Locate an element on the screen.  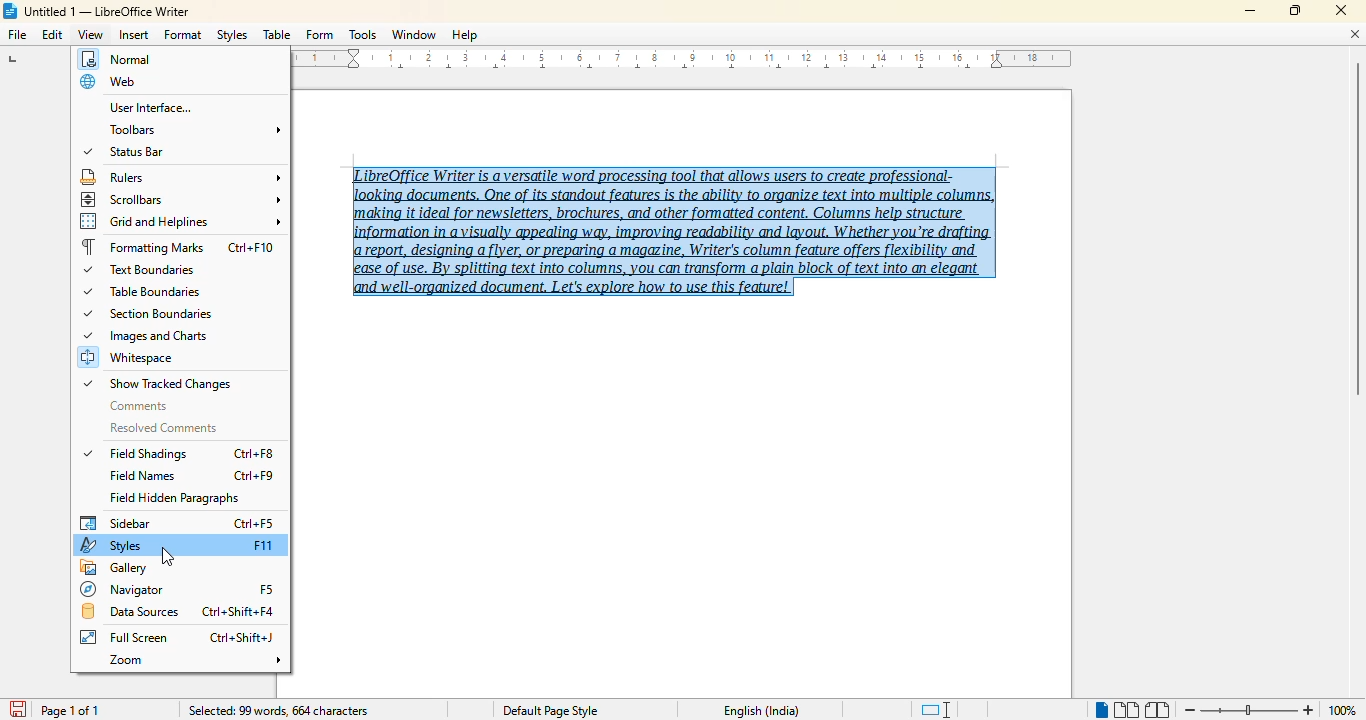
Default page style is located at coordinates (550, 710).